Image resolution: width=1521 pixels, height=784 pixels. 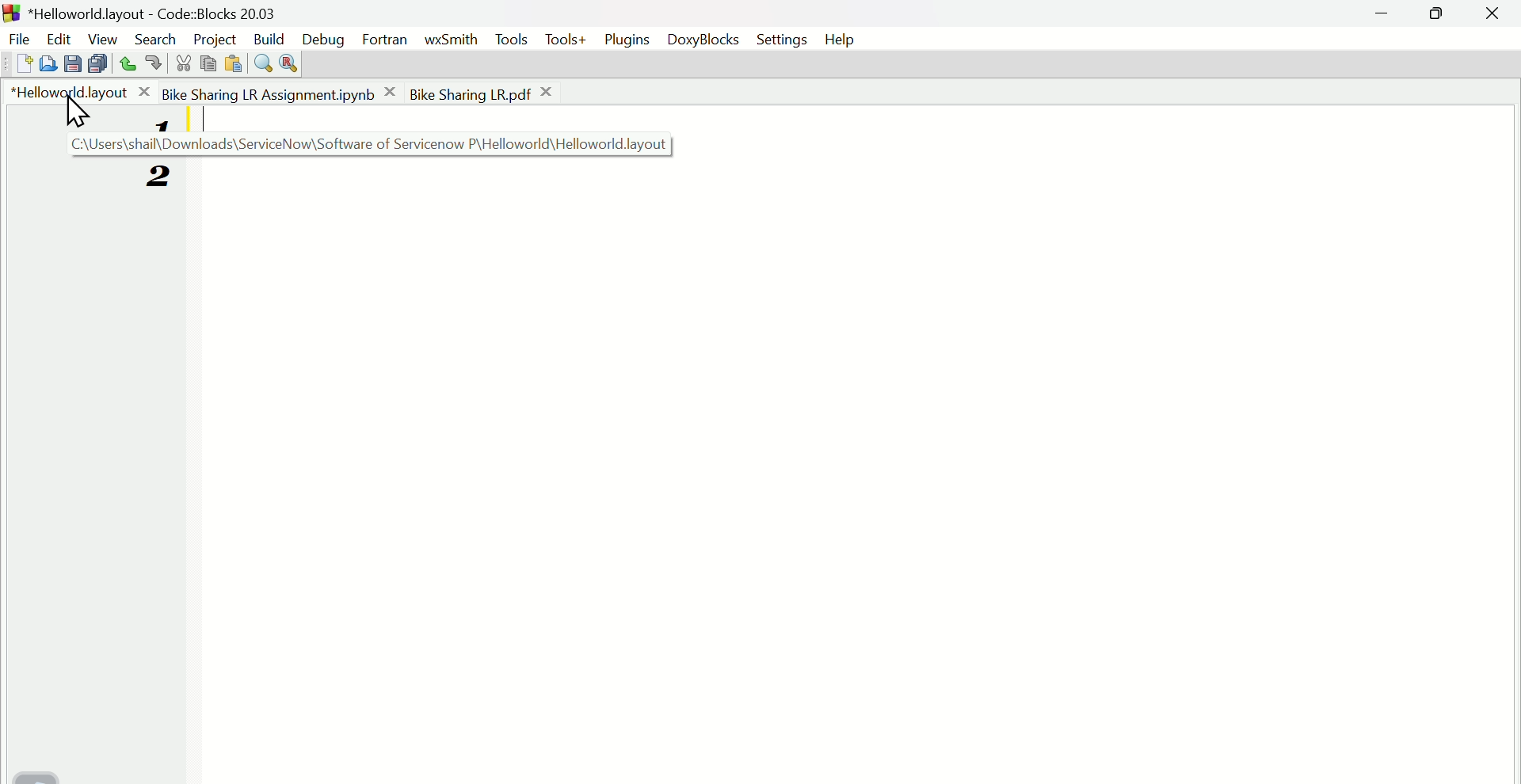 What do you see at coordinates (451, 37) in the screenshot?
I see `WX Smith` at bounding box center [451, 37].